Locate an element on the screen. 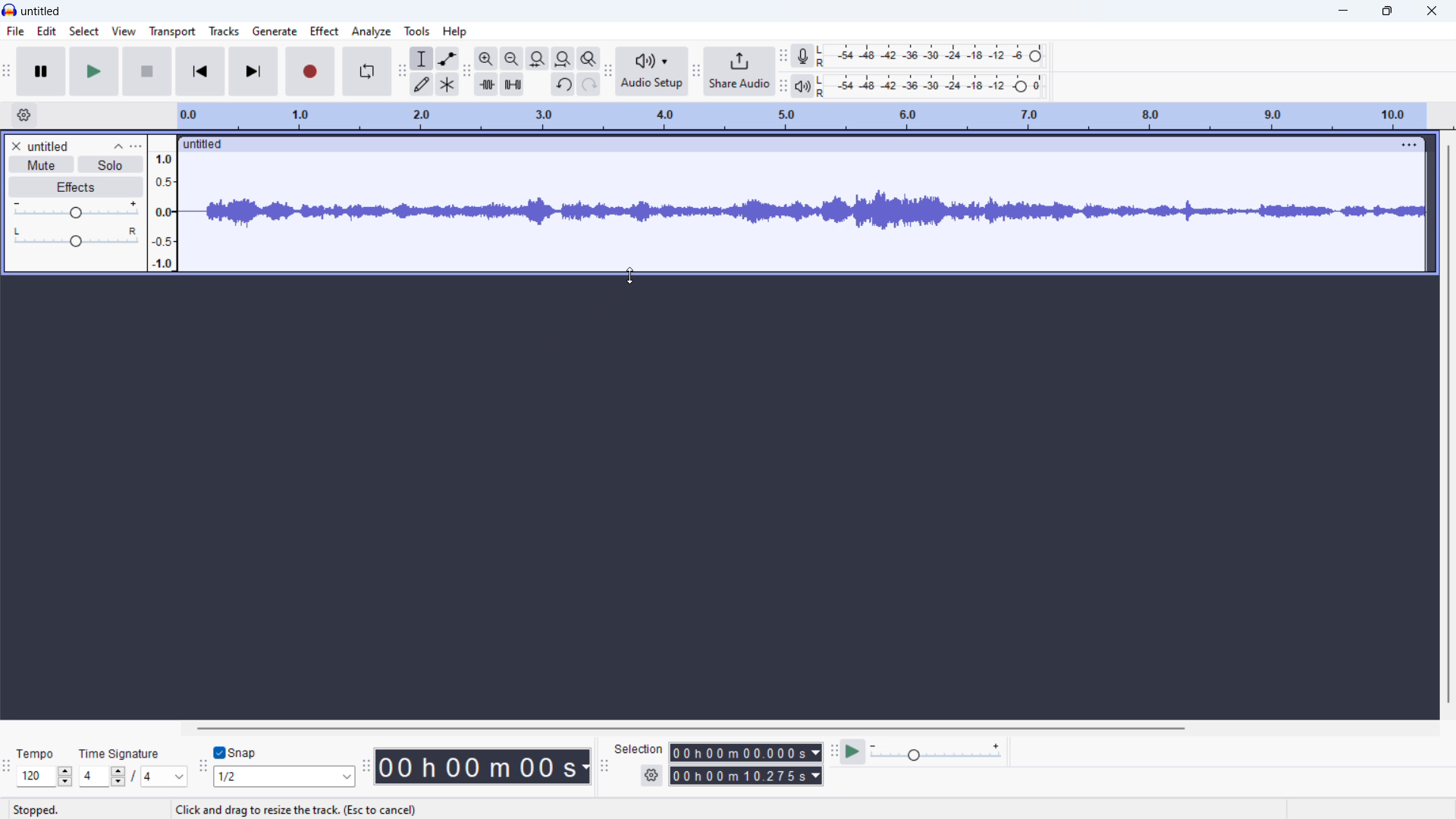 The width and height of the screenshot is (1456, 819). skip to start is located at coordinates (201, 71).